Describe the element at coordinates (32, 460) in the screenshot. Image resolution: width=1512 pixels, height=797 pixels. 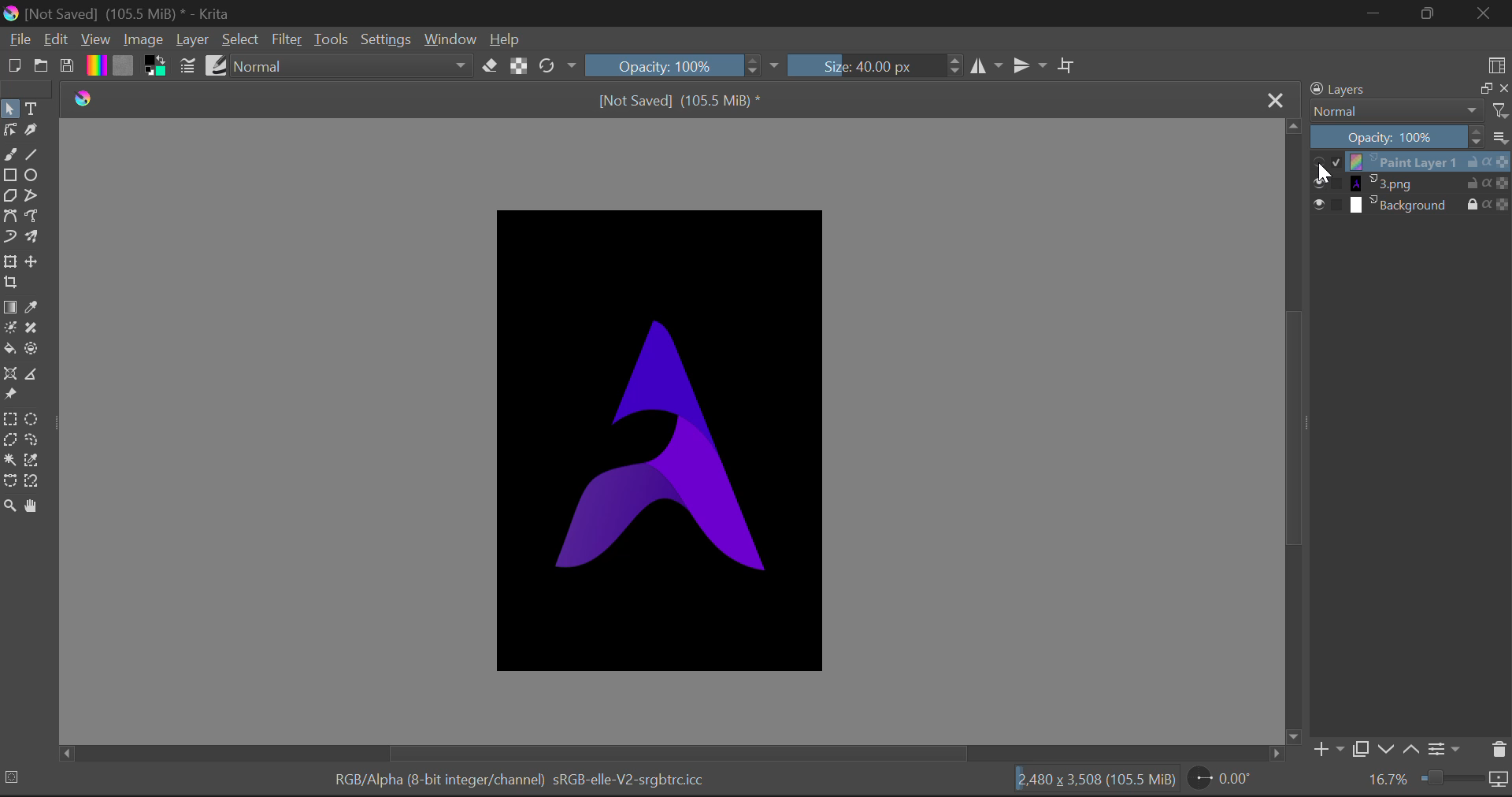
I see `Similar Color Selection` at that location.